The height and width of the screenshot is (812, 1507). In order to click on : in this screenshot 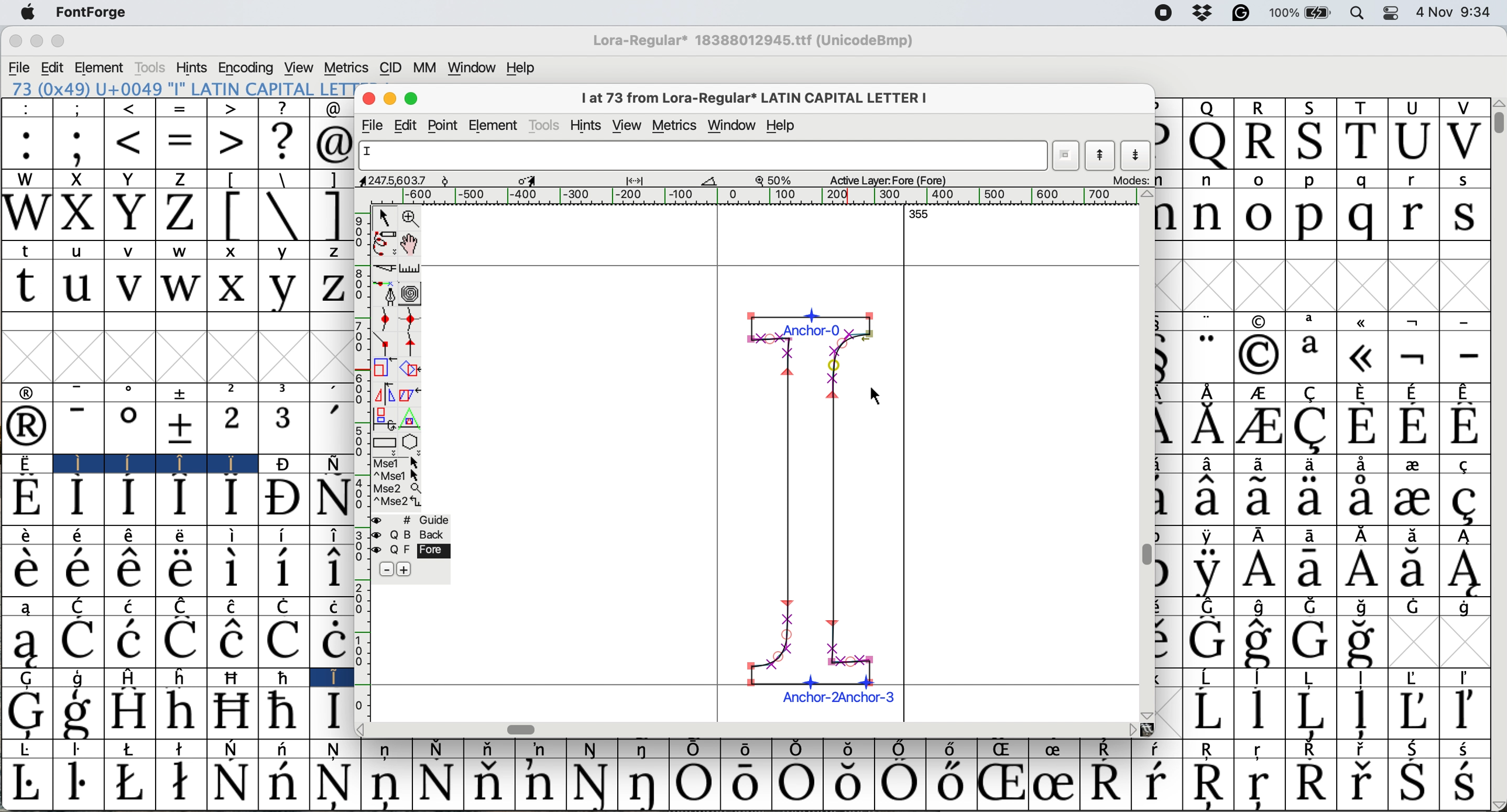, I will do `click(25, 108)`.